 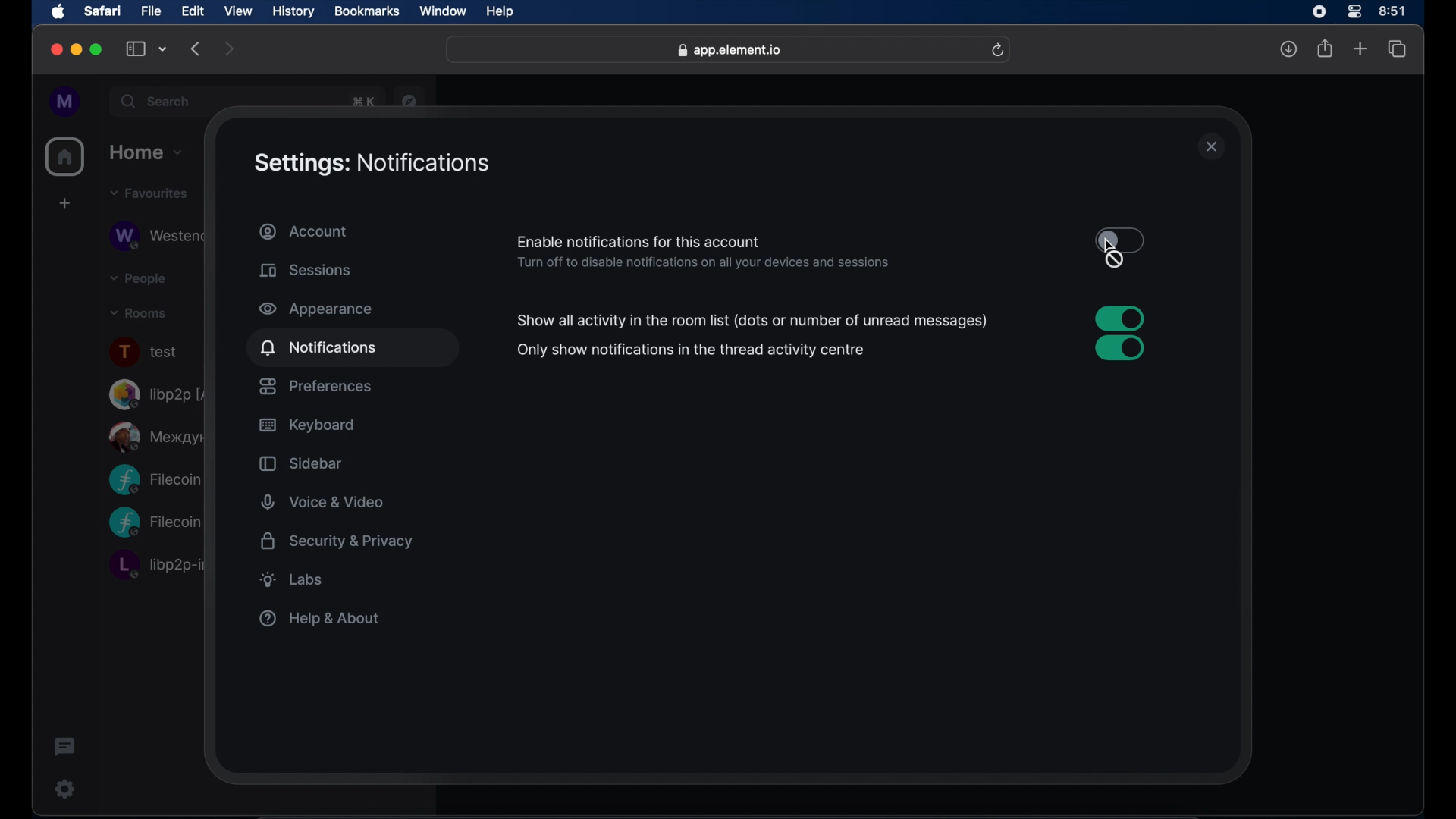 I want to click on control center, so click(x=1354, y=12).